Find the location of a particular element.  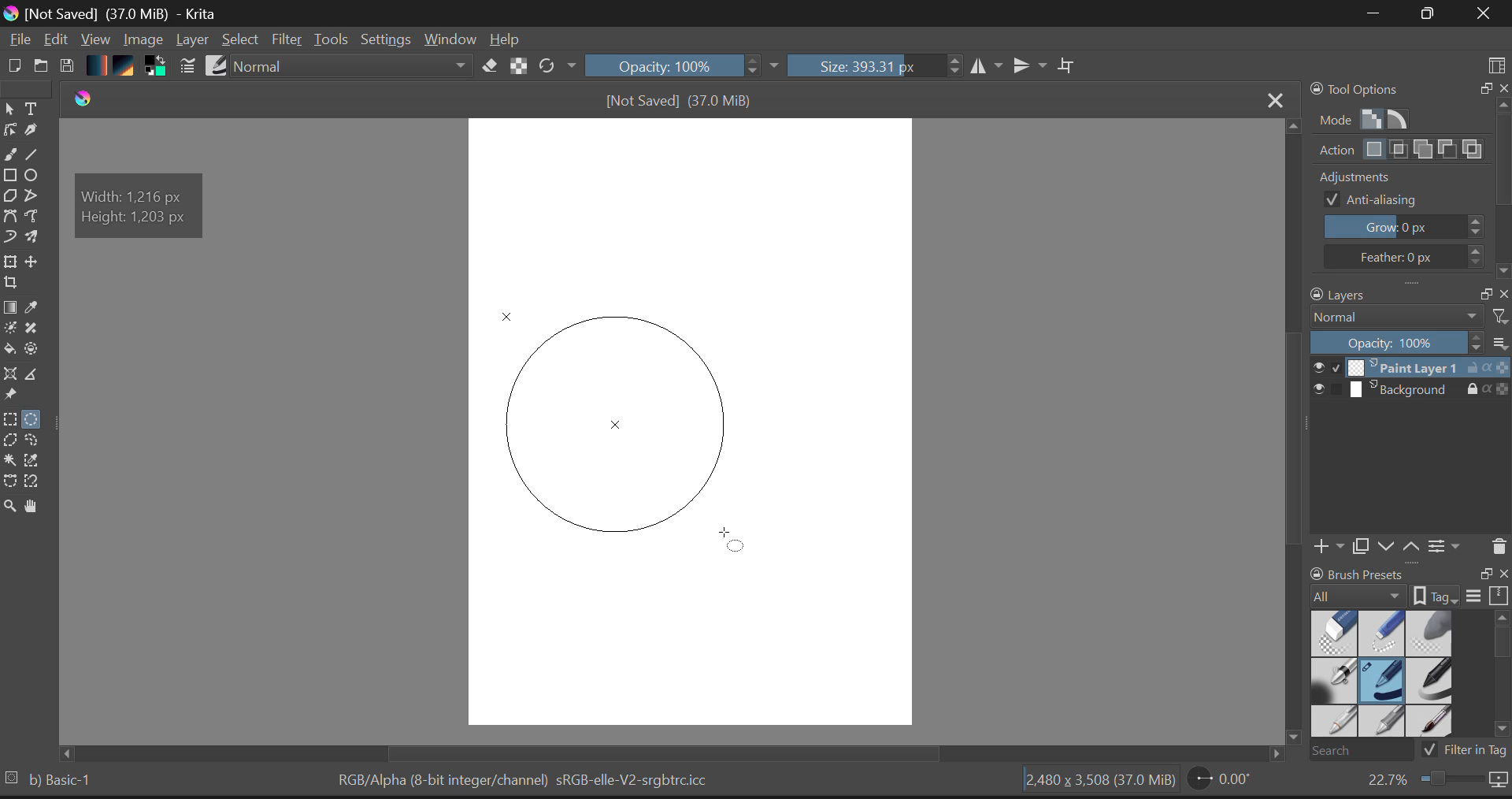

Pattern is located at coordinates (127, 67).